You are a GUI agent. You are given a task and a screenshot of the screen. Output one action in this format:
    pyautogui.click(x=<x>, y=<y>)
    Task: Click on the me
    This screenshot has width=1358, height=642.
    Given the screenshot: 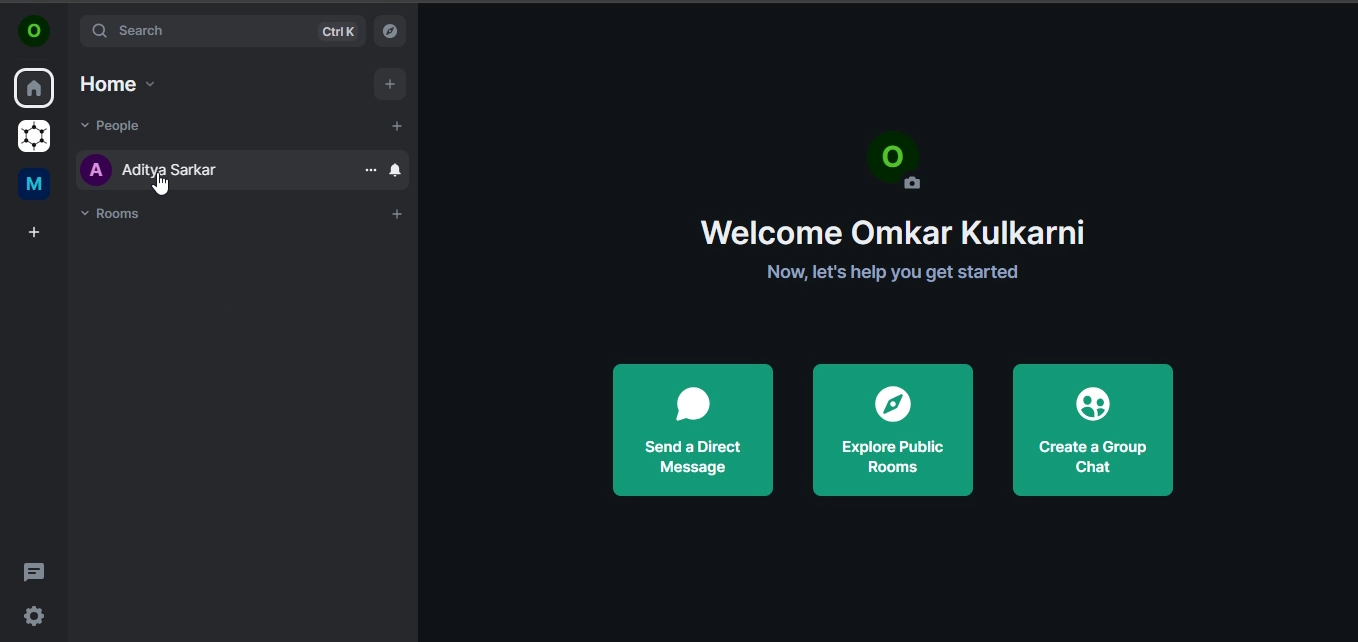 What is the action you would take?
    pyautogui.click(x=32, y=184)
    